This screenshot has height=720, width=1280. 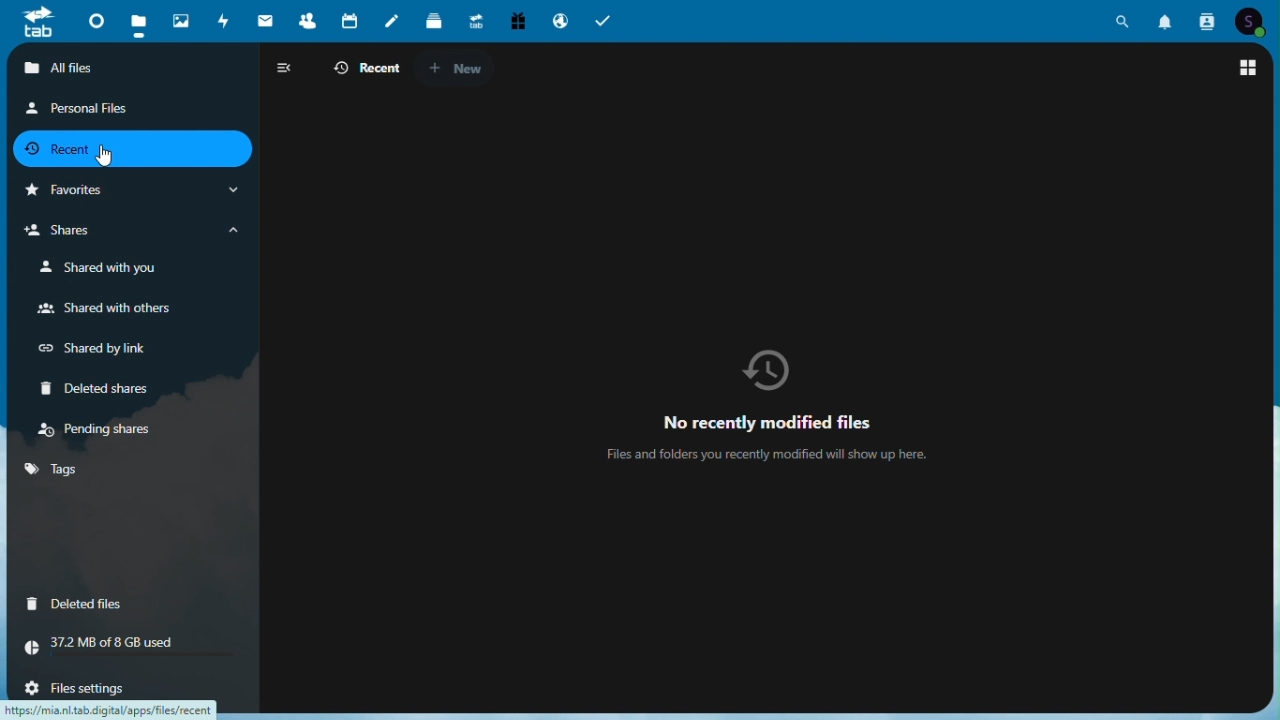 I want to click on Photos, so click(x=181, y=20).